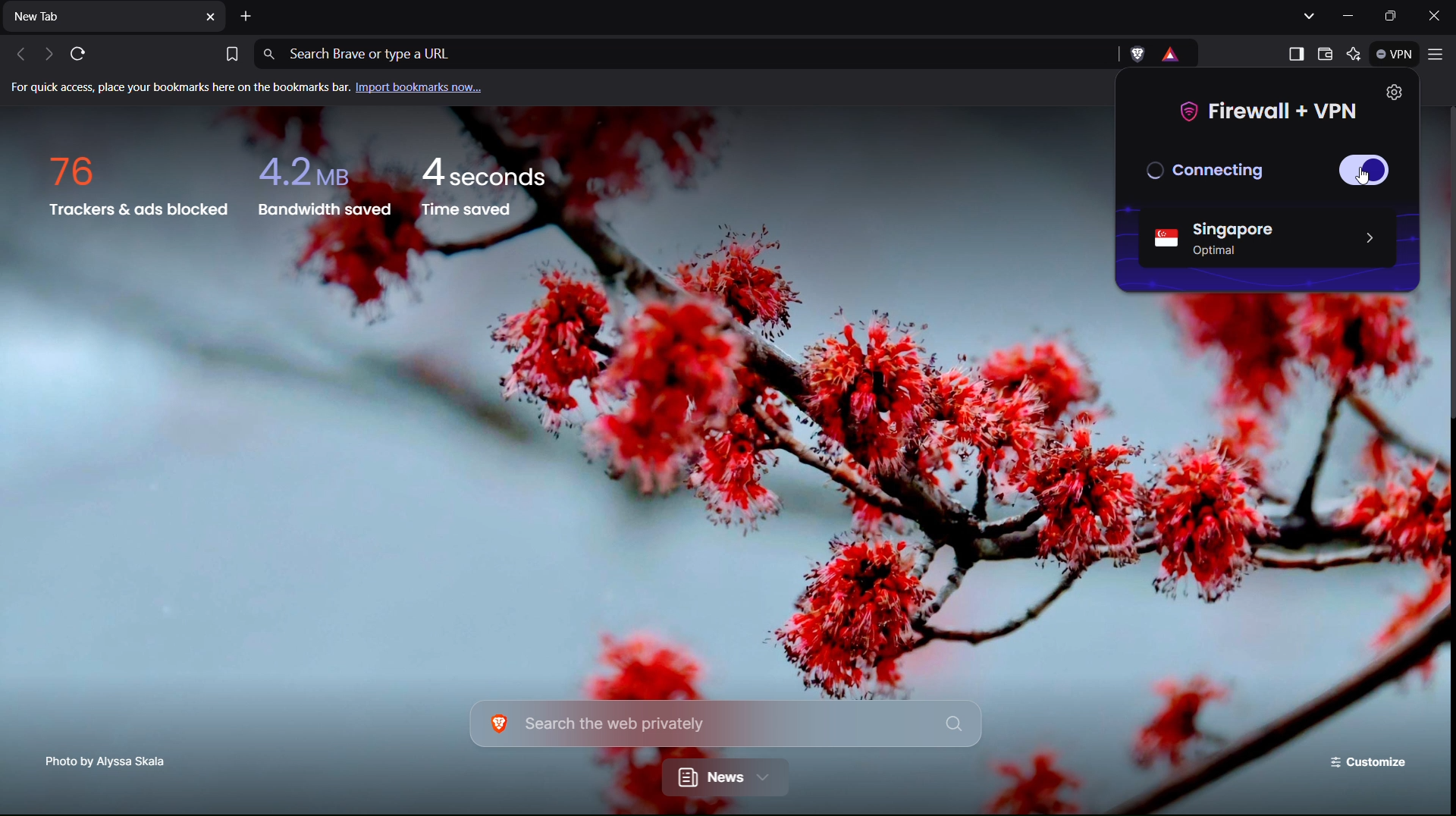  What do you see at coordinates (84, 53) in the screenshot?
I see `Refresh` at bounding box center [84, 53].